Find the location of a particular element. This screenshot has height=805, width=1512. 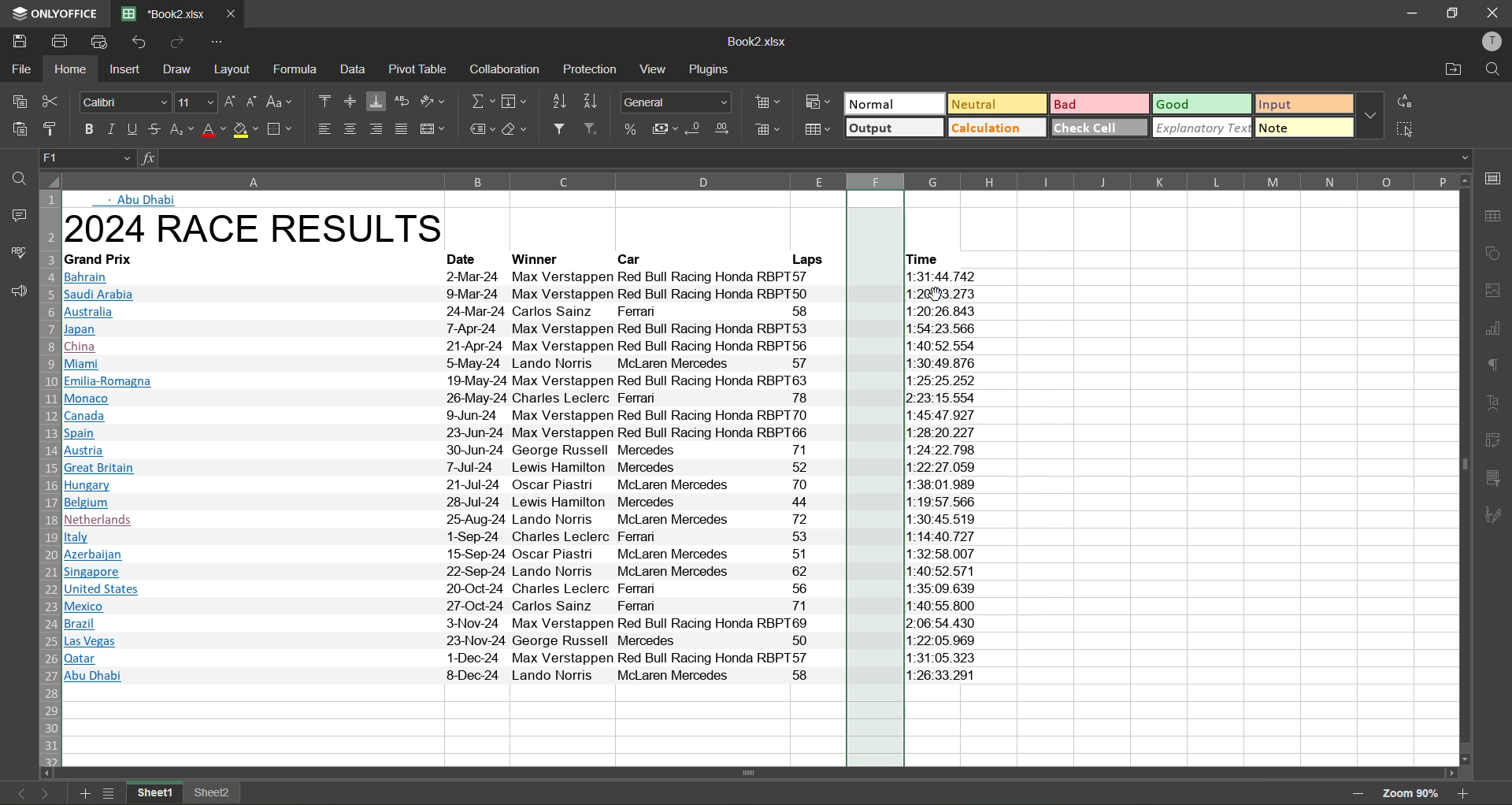

vertical scrollbar is located at coordinates (1465, 465).